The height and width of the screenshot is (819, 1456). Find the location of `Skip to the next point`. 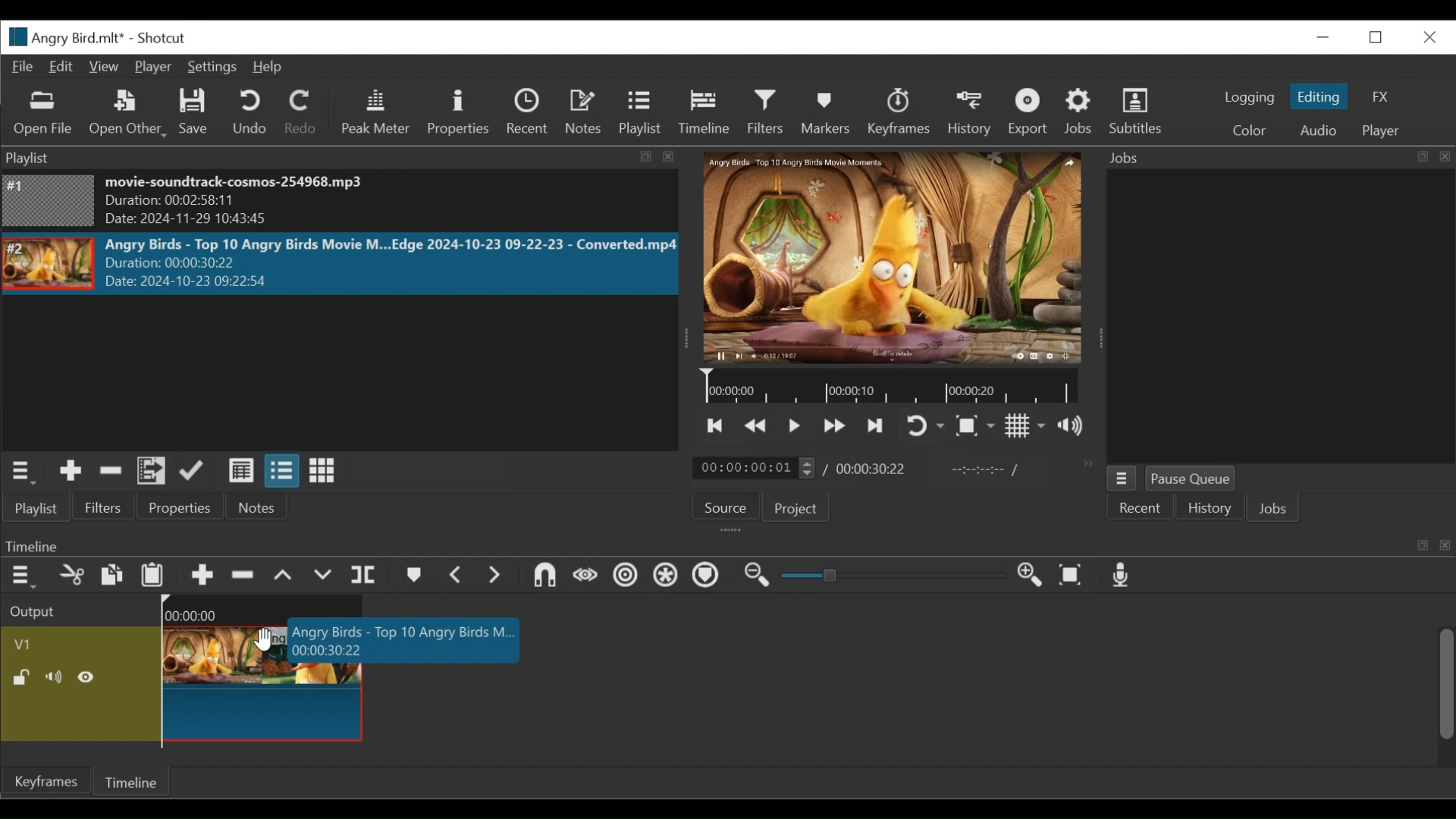

Skip to the next point is located at coordinates (877, 426).